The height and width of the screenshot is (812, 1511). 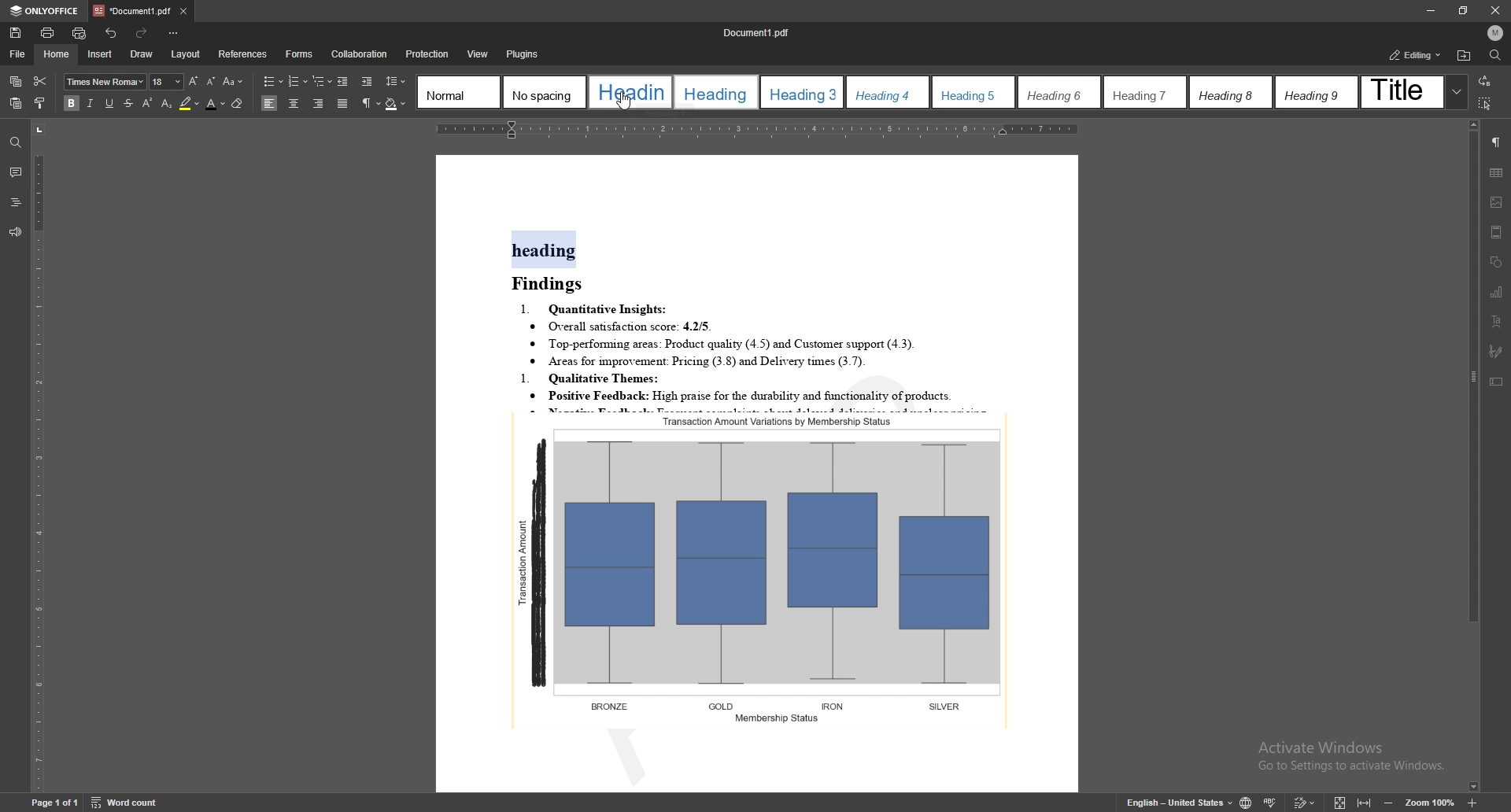 What do you see at coordinates (762, 32) in the screenshot?
I see `Document 1.pdf` at bounding box center [762, 32].